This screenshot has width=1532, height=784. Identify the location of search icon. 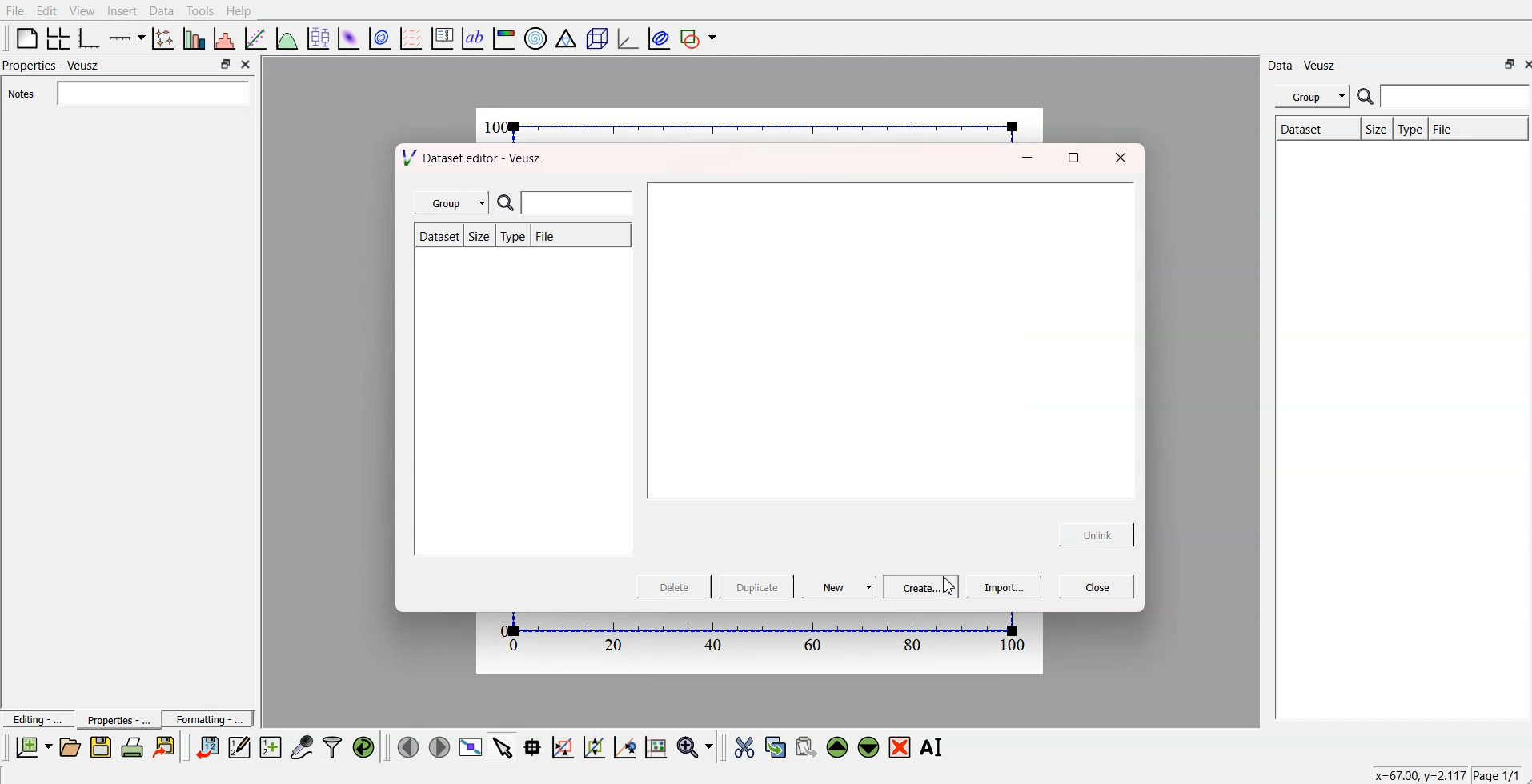
(1365, 98).